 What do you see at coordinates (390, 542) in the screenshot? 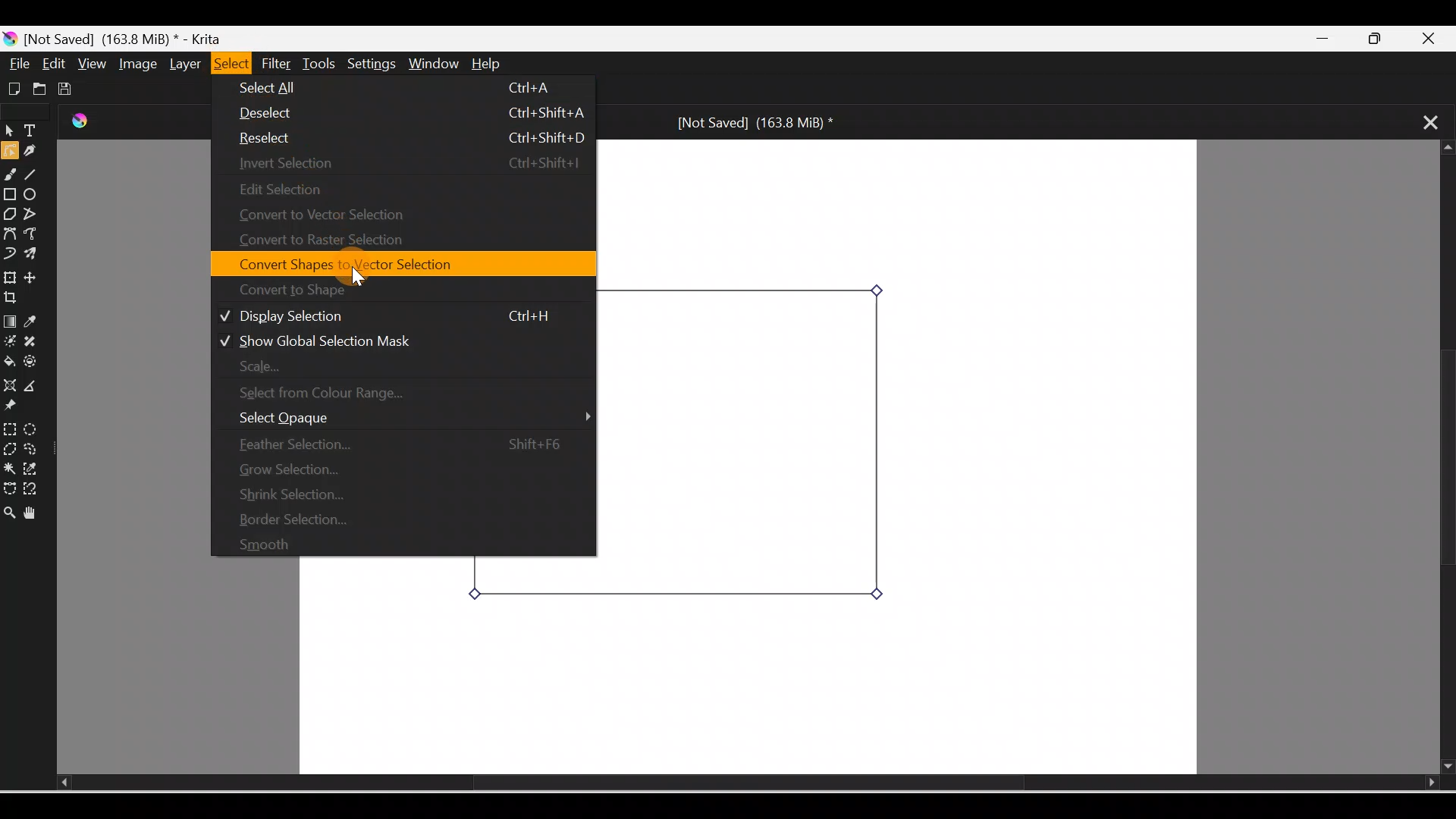
I see `Smooth` at bounding box center [390, 542].